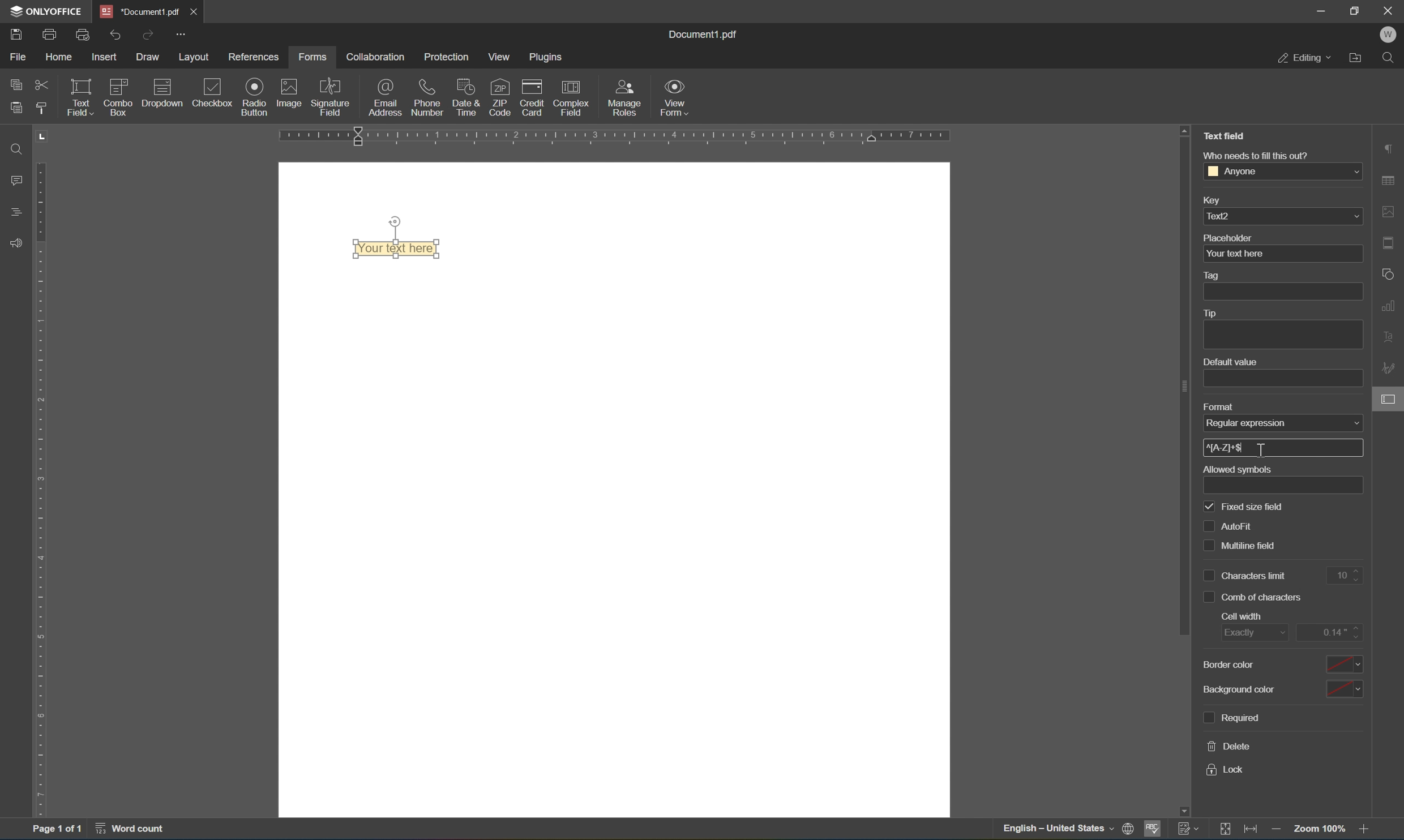  What do you see at coordinates (11, 211) in the screenshot?
I see `headings` at bounding box center [11, 211].